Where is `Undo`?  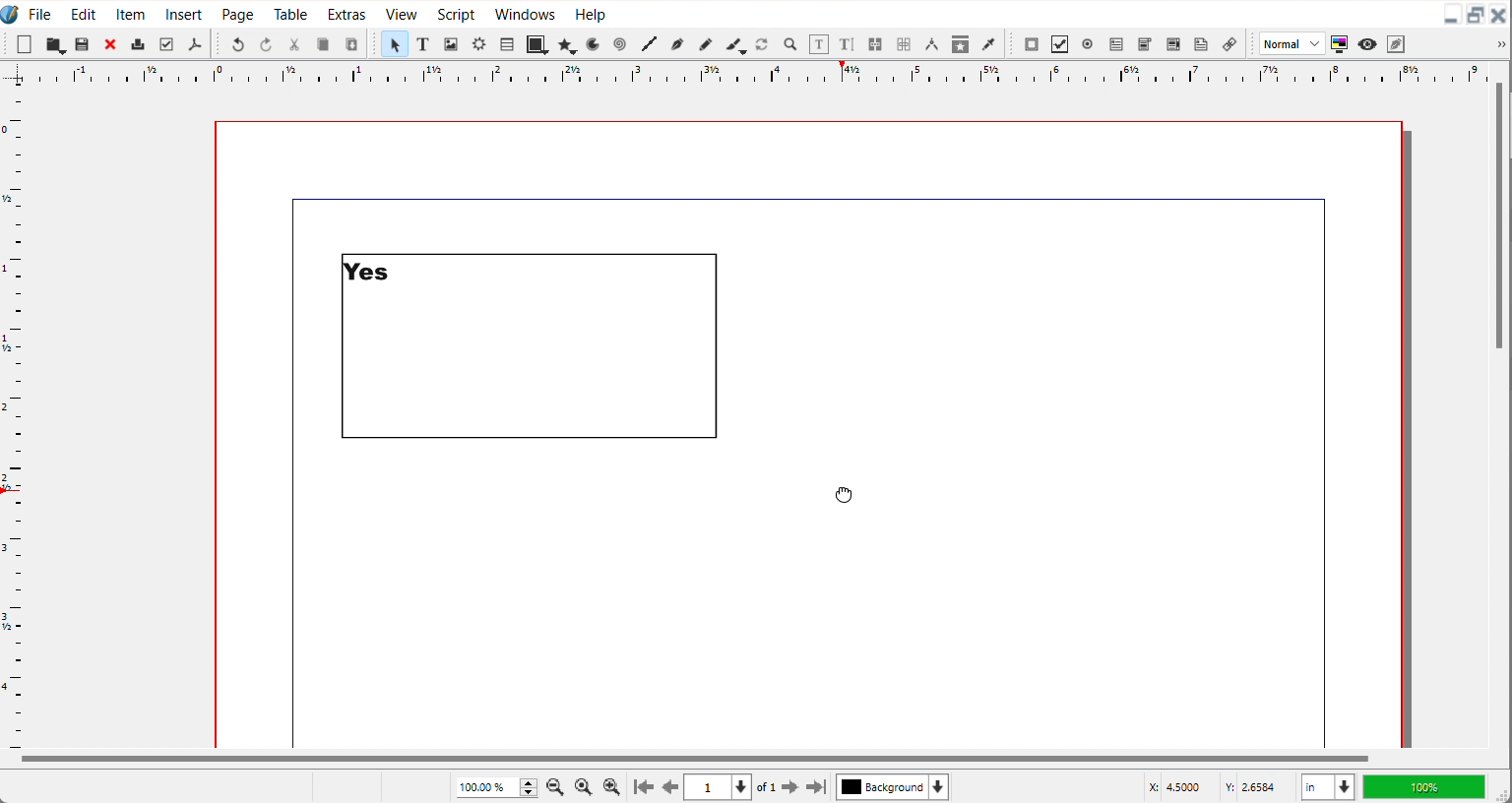 Undo is located at coordinates (237, 43).